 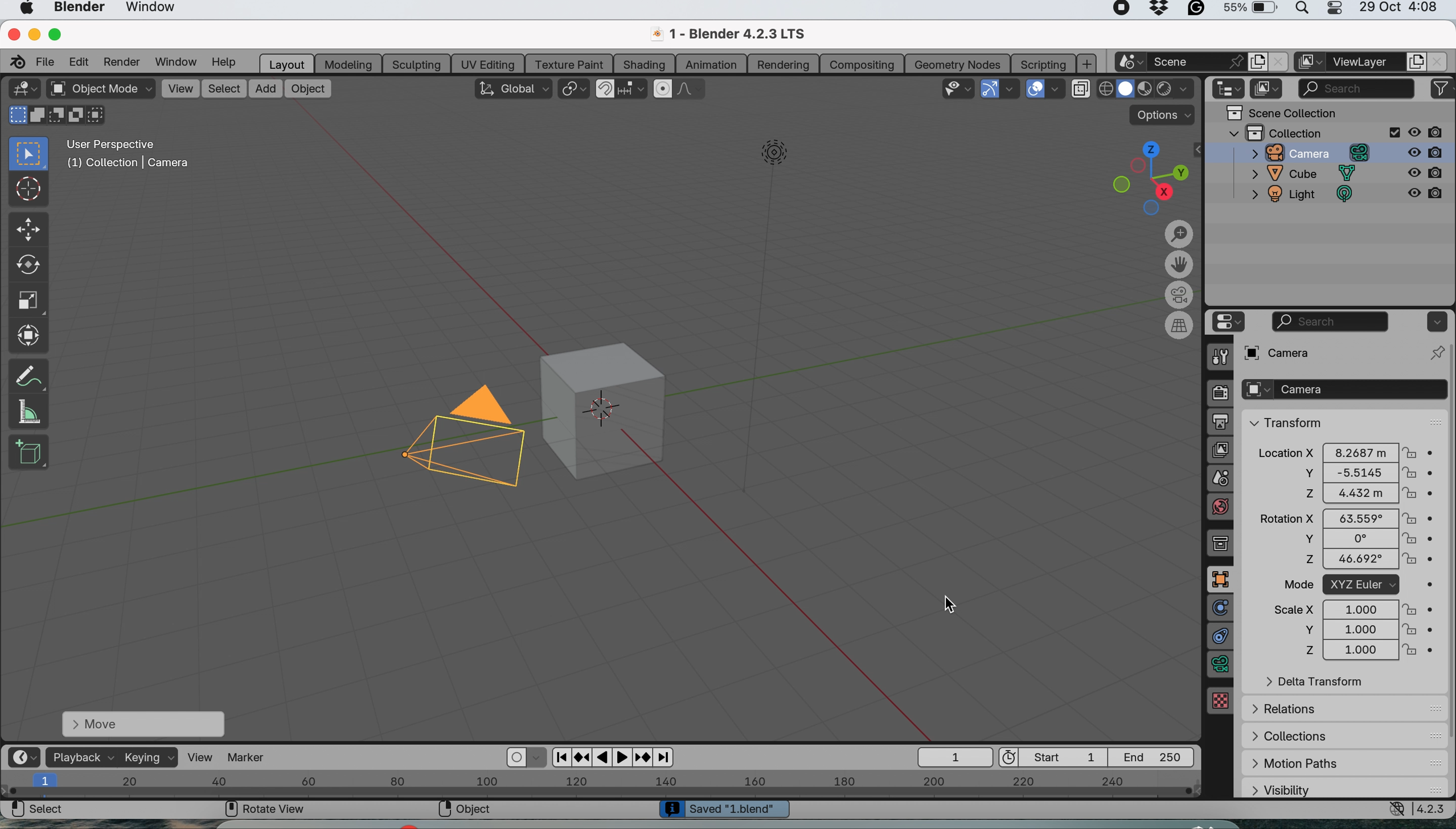 I want to click on add cube, so click(x=30, y=450).